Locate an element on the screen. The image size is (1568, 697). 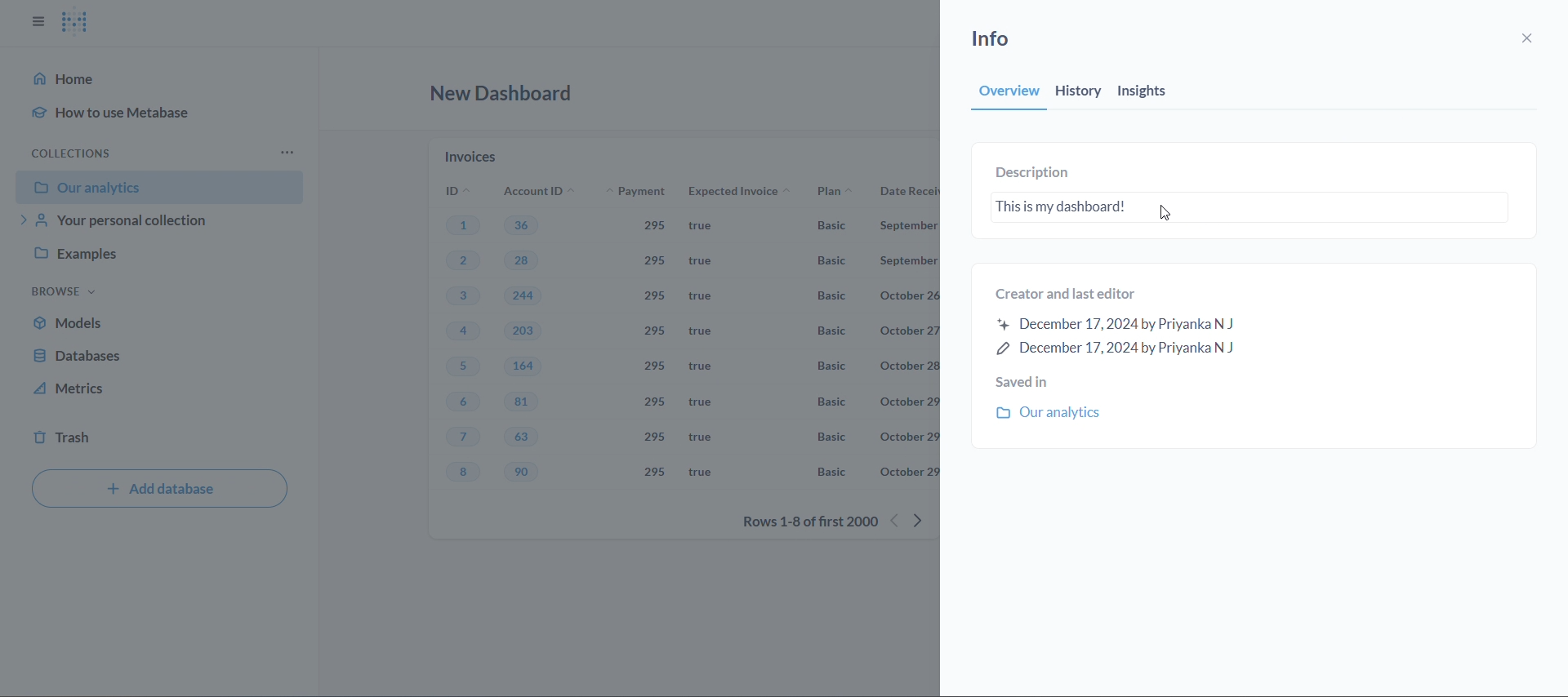
payment is located at coordinates (645, 193).